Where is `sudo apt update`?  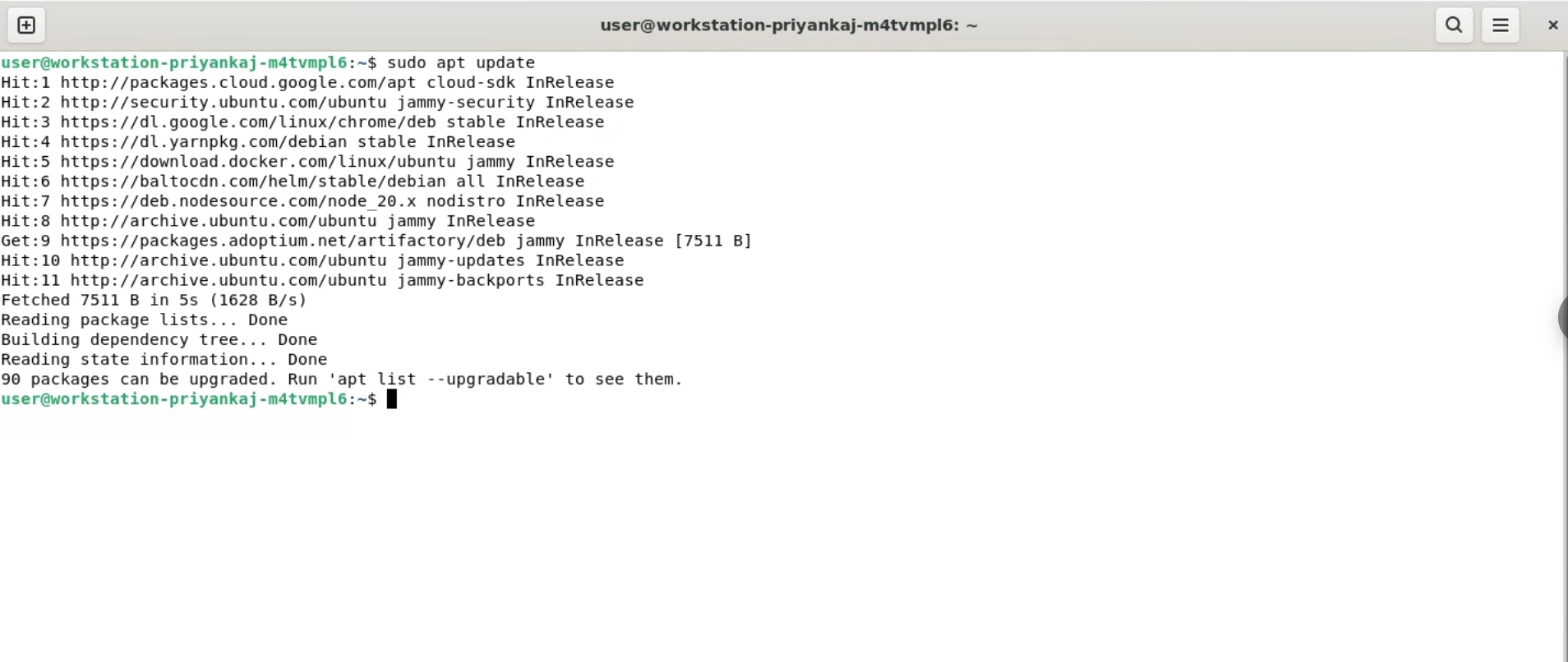 sudo apt update is located at coordinates (468, 62).